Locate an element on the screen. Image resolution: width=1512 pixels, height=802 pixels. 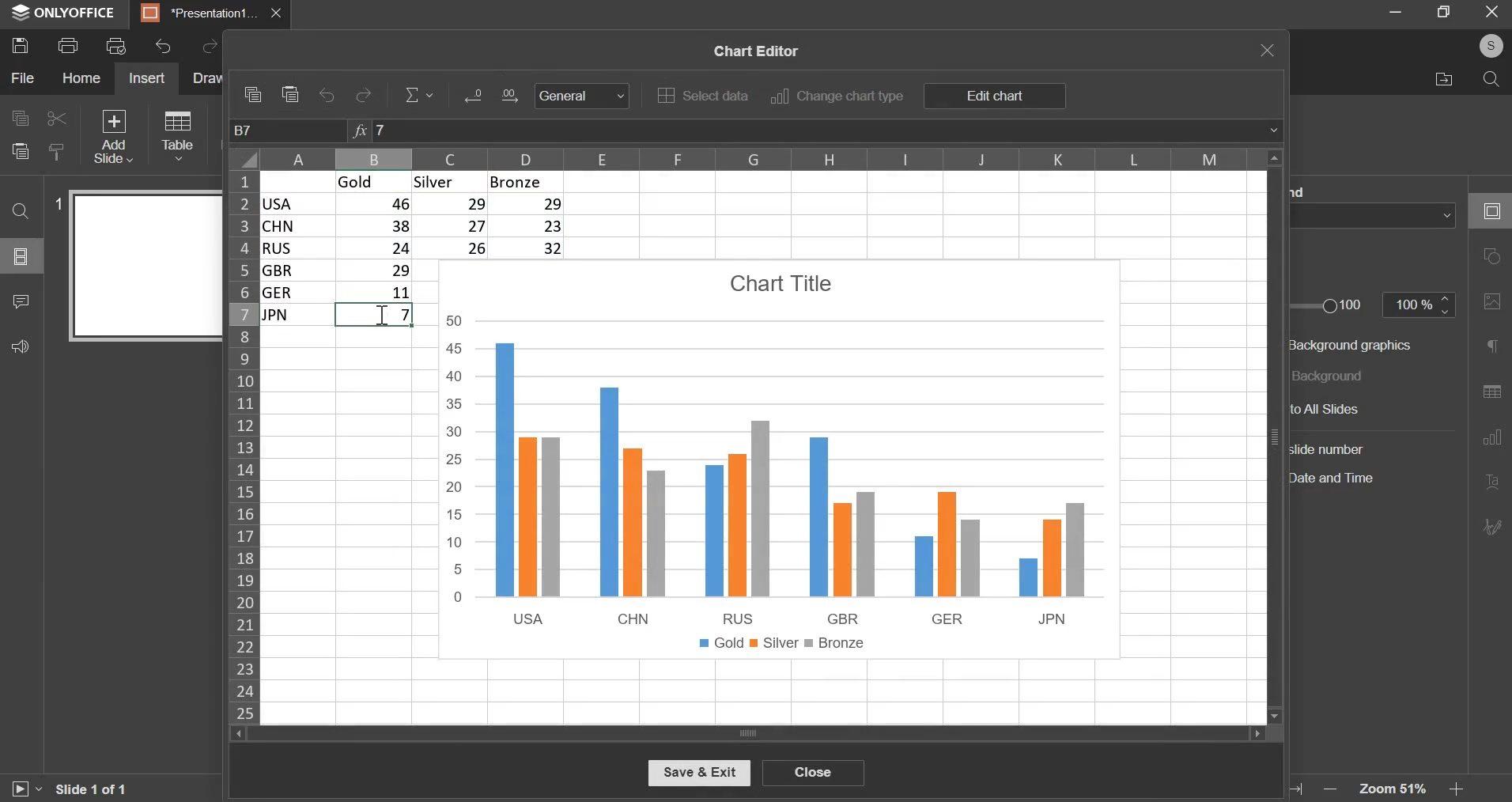
fit to width is located at coordinates (1301, 785).